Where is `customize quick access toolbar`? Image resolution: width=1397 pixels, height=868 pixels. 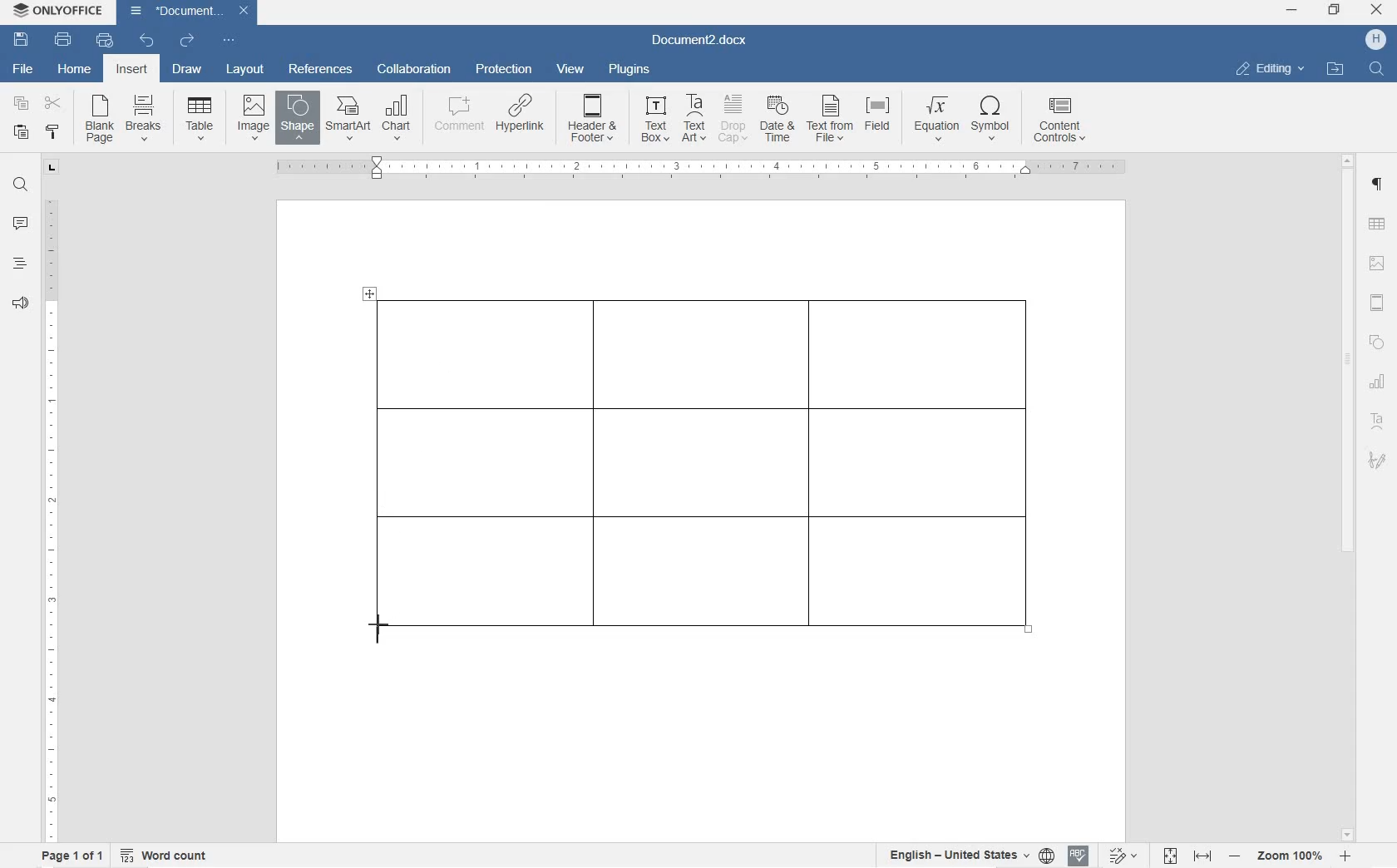
customize quick access toolbar is located at coordinates (228, 40).